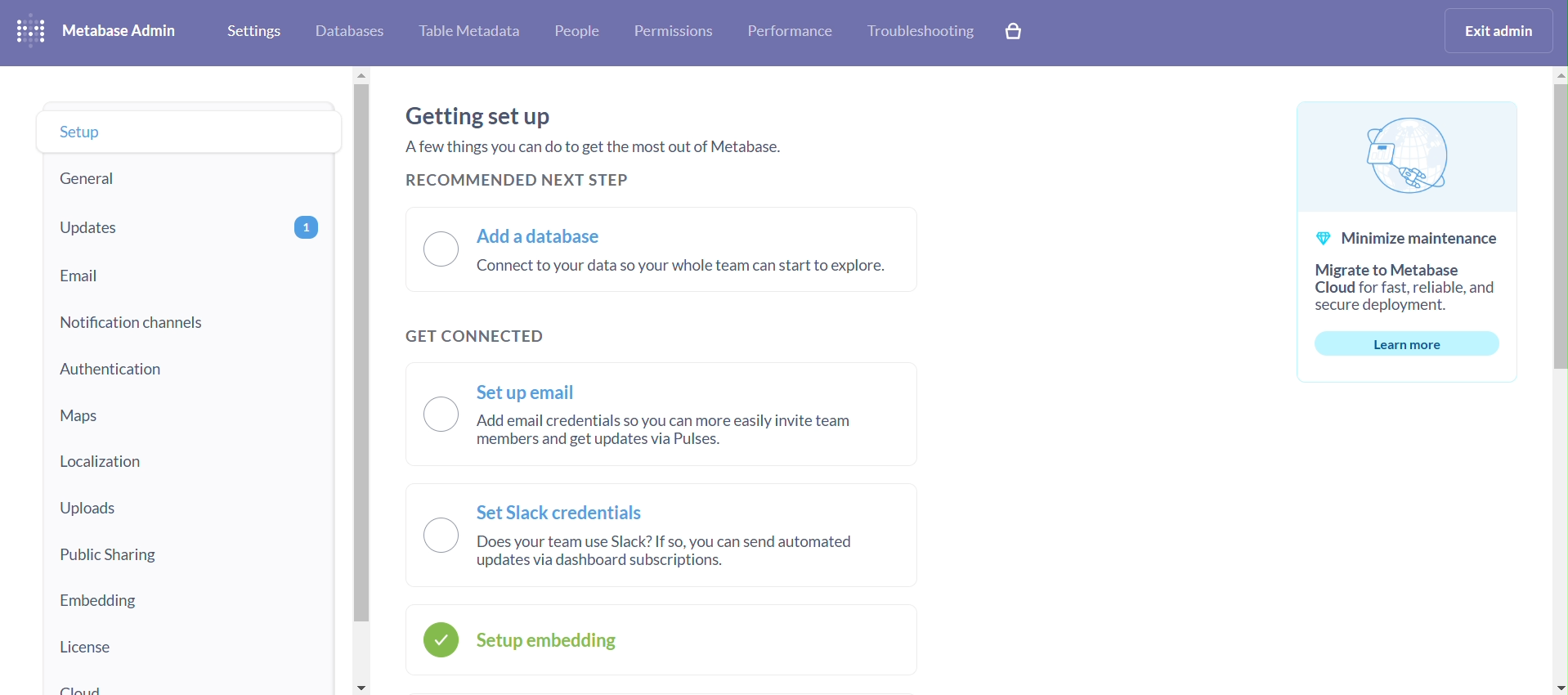 Image resolution: width=1568 pixels, height=695 pixels. What do you see at coordinates (664, 639) in the screenshot?
I see `setup embedding` at bounding box center [664, 639].